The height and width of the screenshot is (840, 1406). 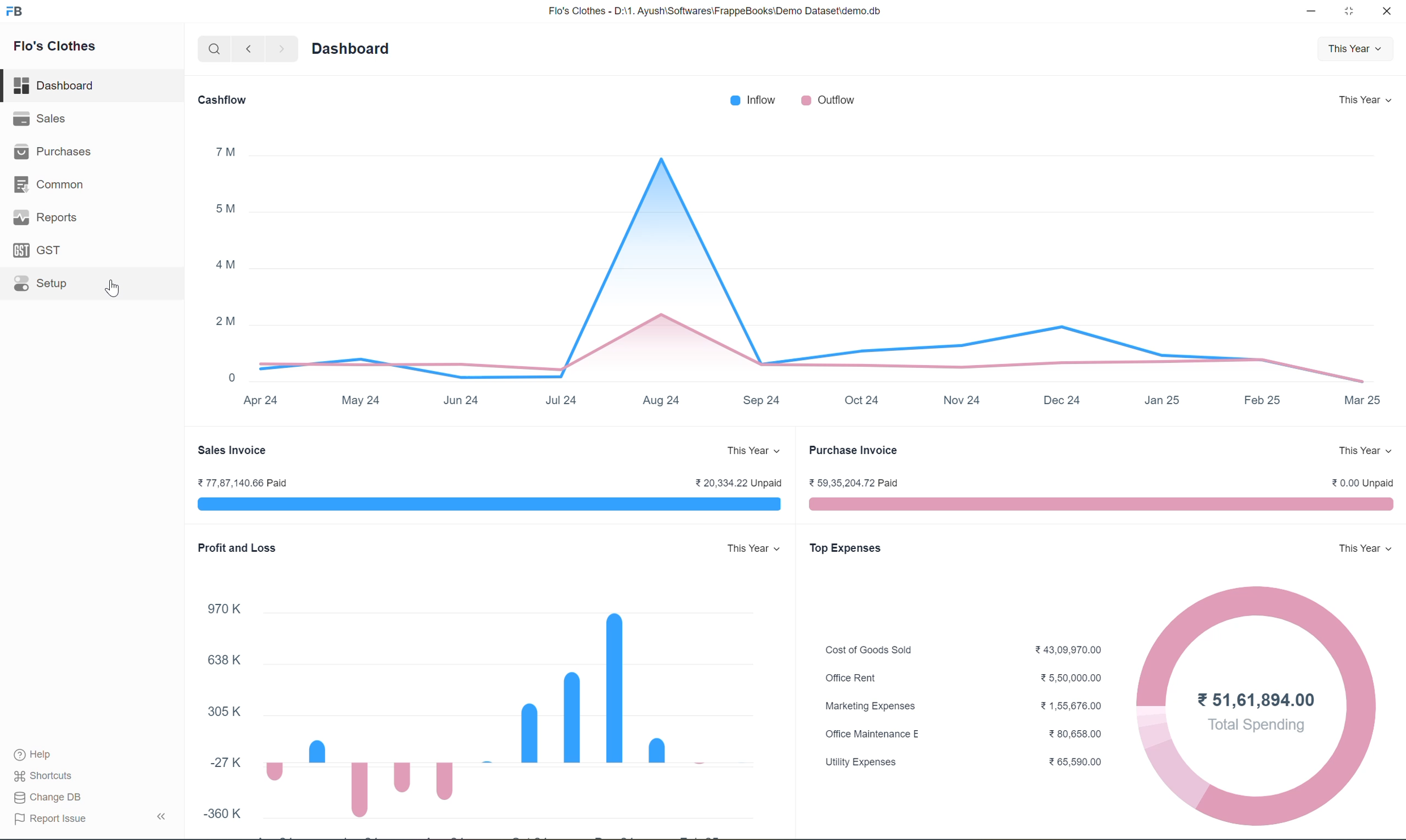 What do you see at coordinates (964, 679) in the screenshot?
I see `Office Rent 25,50,000.00` at bounding box center [964, 679].